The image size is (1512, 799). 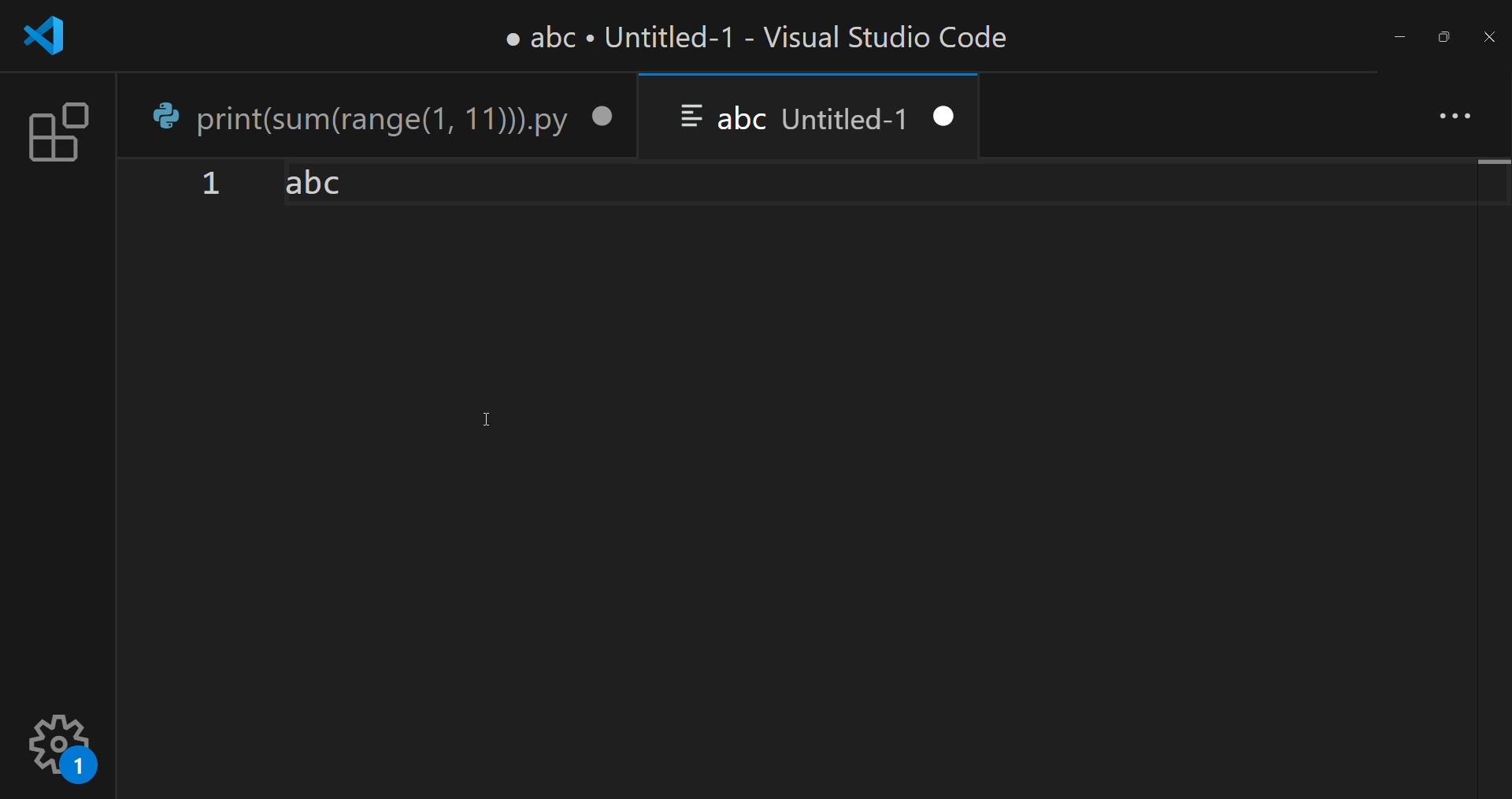 I want to click on Cursor, so click(x=487, y=416).